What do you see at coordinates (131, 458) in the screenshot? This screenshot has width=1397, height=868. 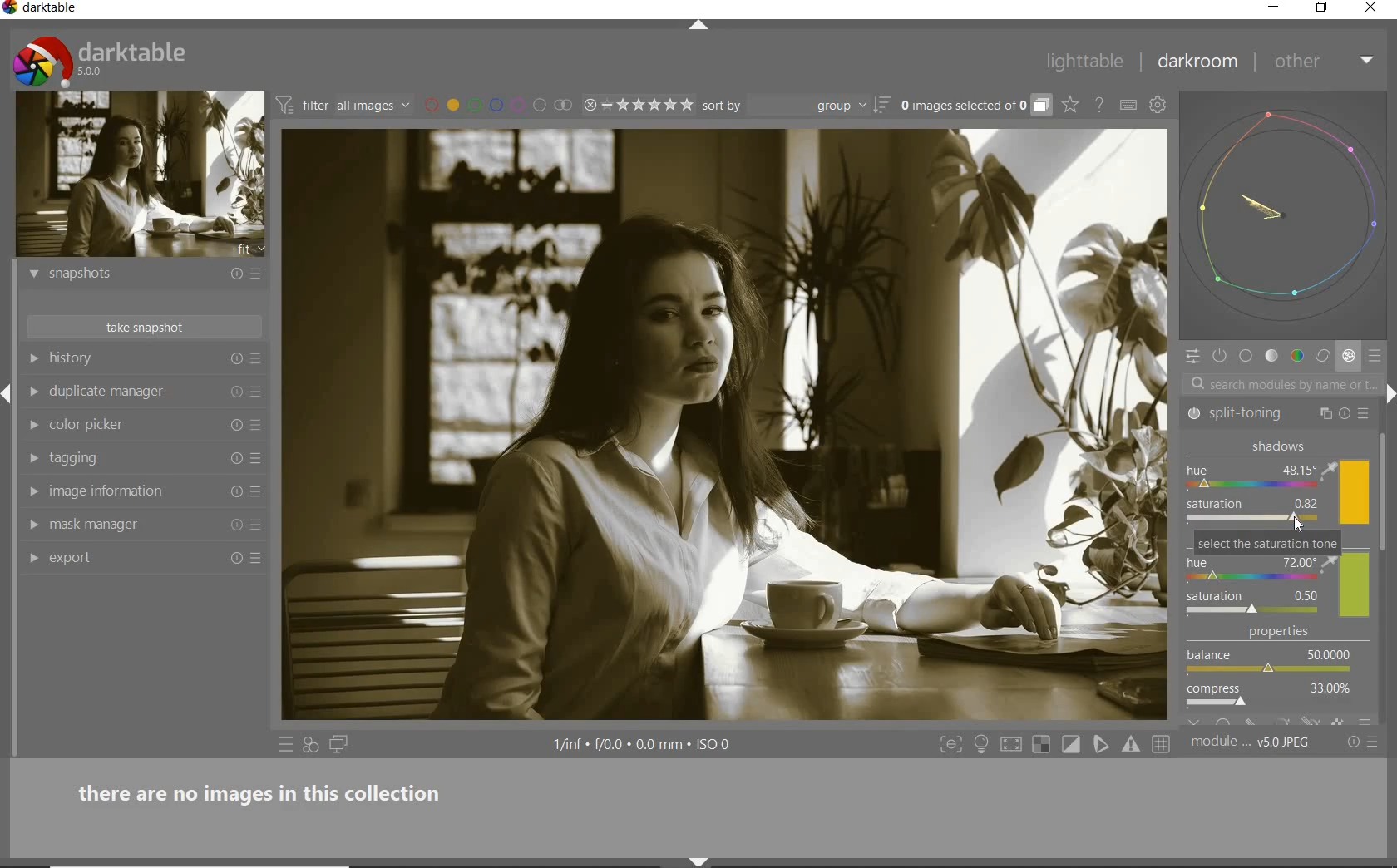 I see `tagging` at bounding box center [131, 458].